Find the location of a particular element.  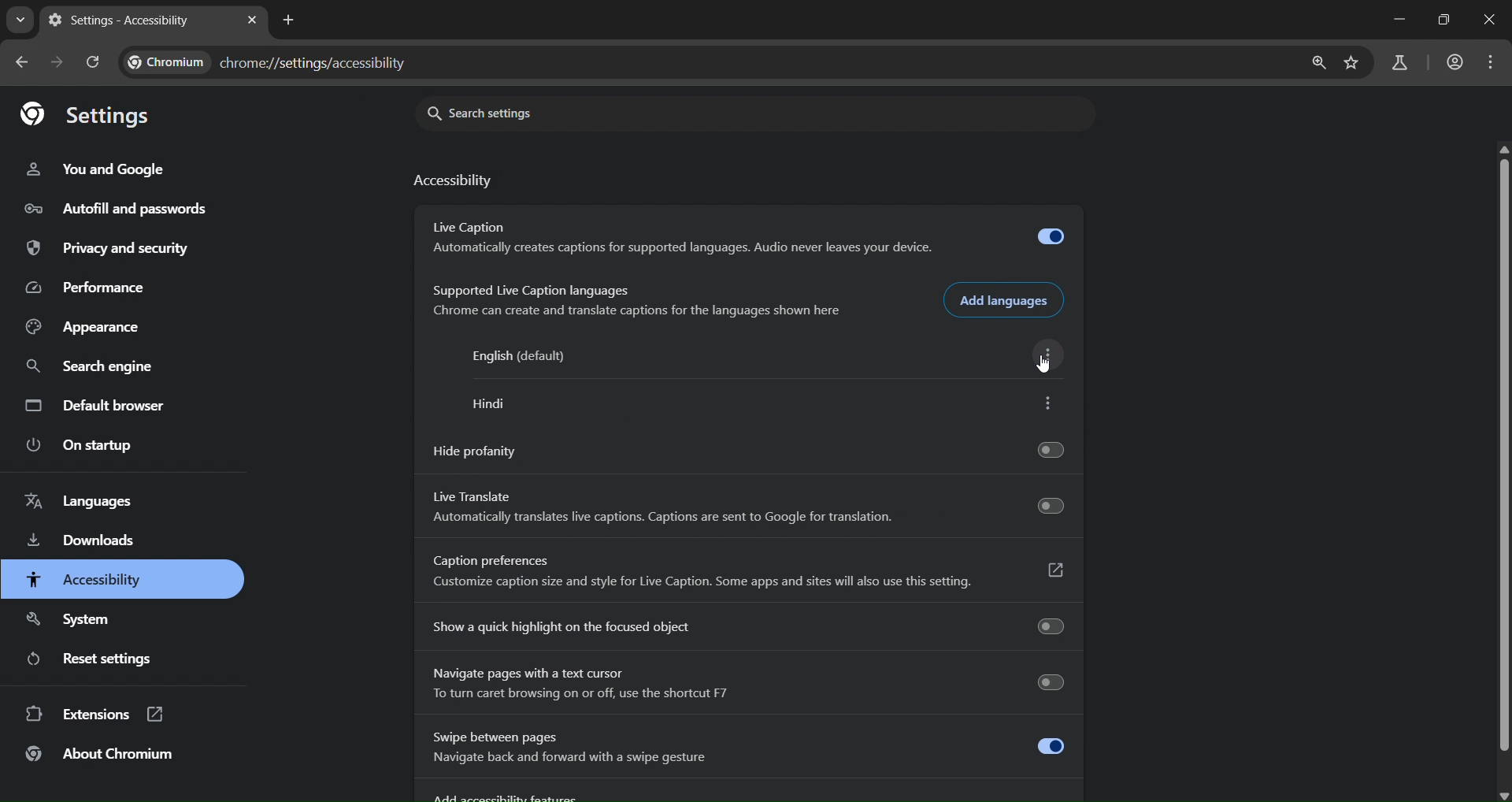

Caption preferences
Customize caption size and style for Live Caption. Some apps and sites will also use this setting. is located at coordinates (748, 574).